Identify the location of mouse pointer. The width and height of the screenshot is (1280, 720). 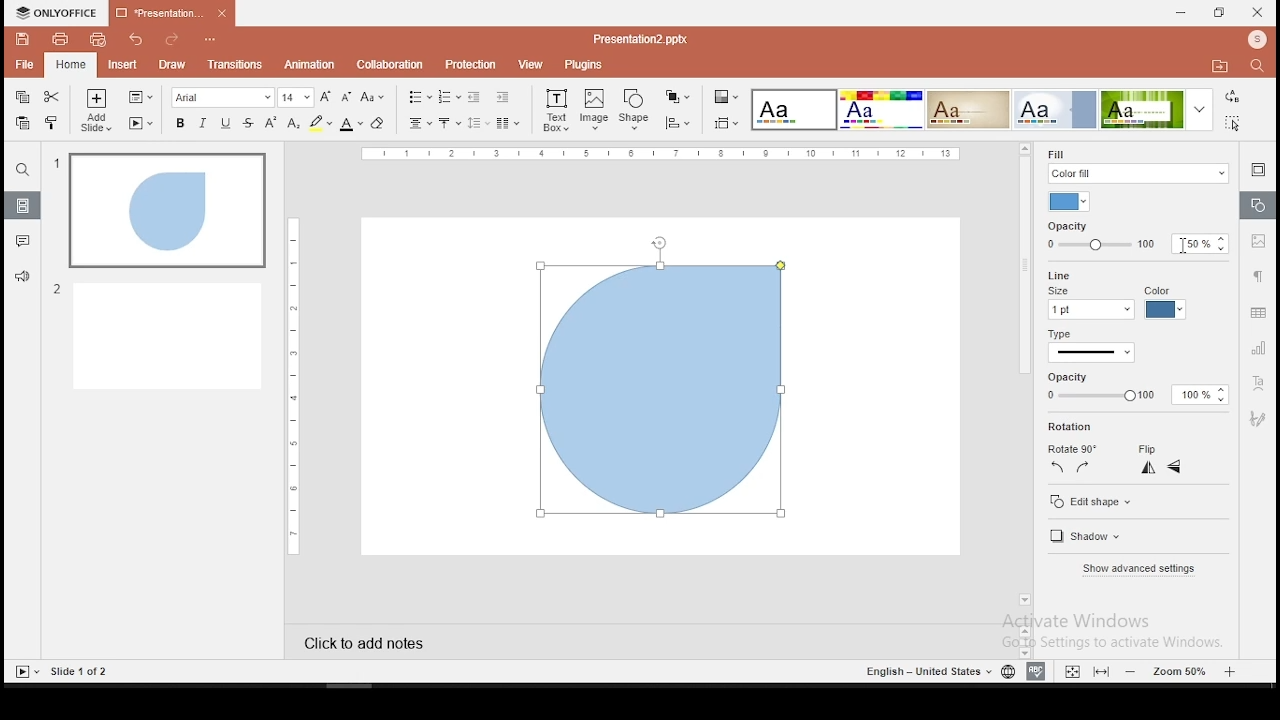
(1192, 246).